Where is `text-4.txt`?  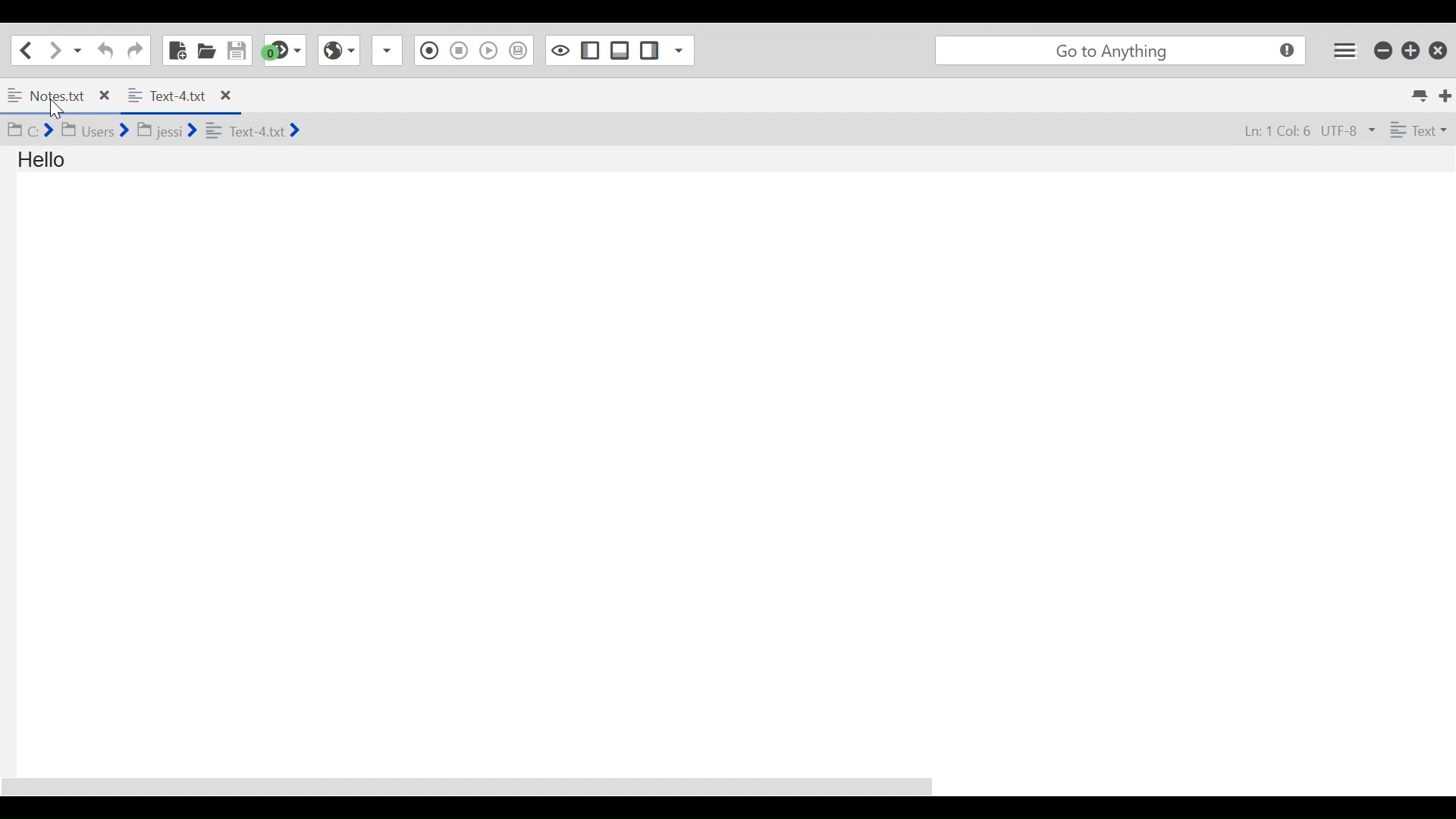 text-4.txt is located at coordinates (167, 93).